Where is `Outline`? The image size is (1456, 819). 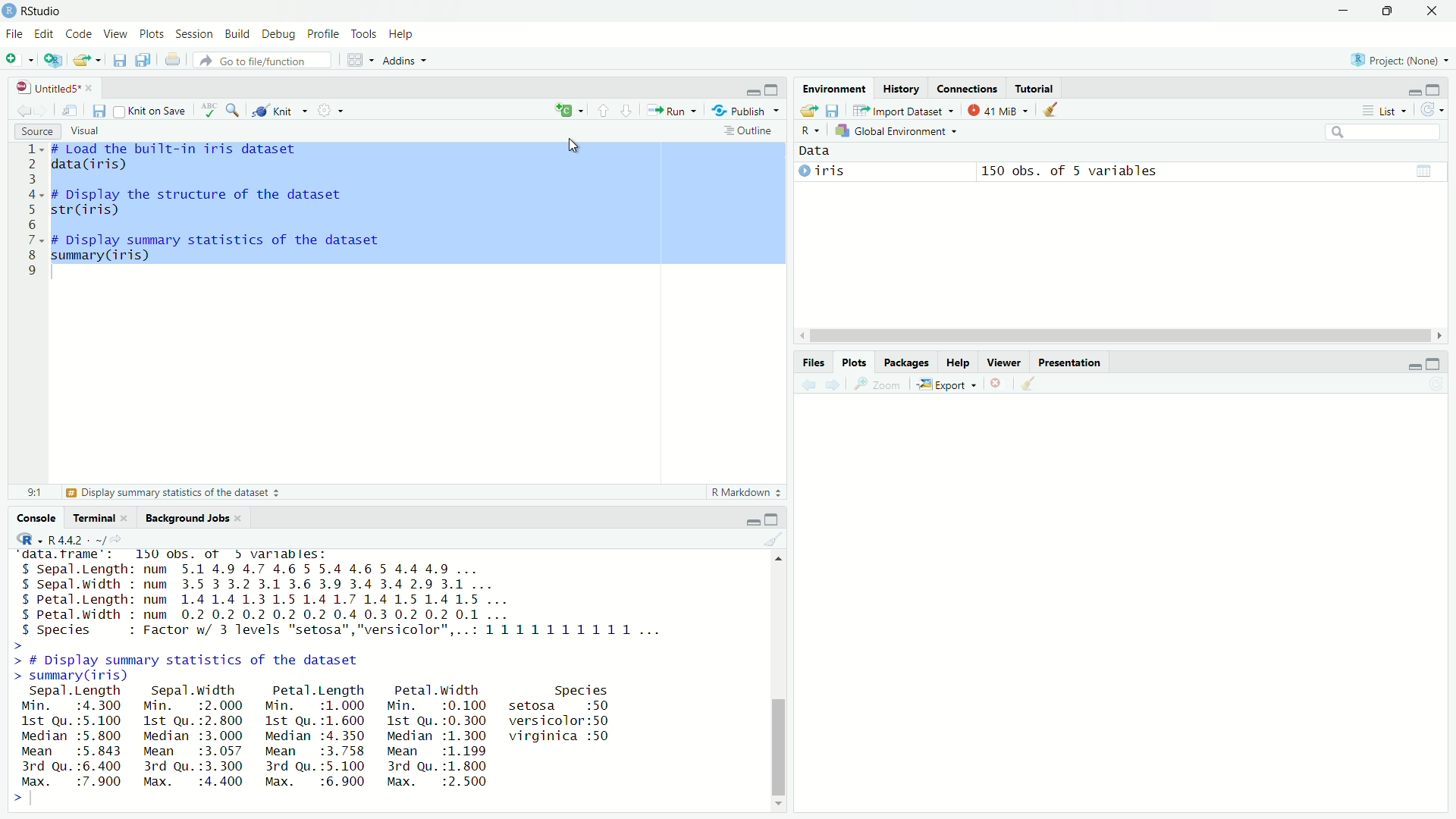
Outline is located at coordinates (753, 132).